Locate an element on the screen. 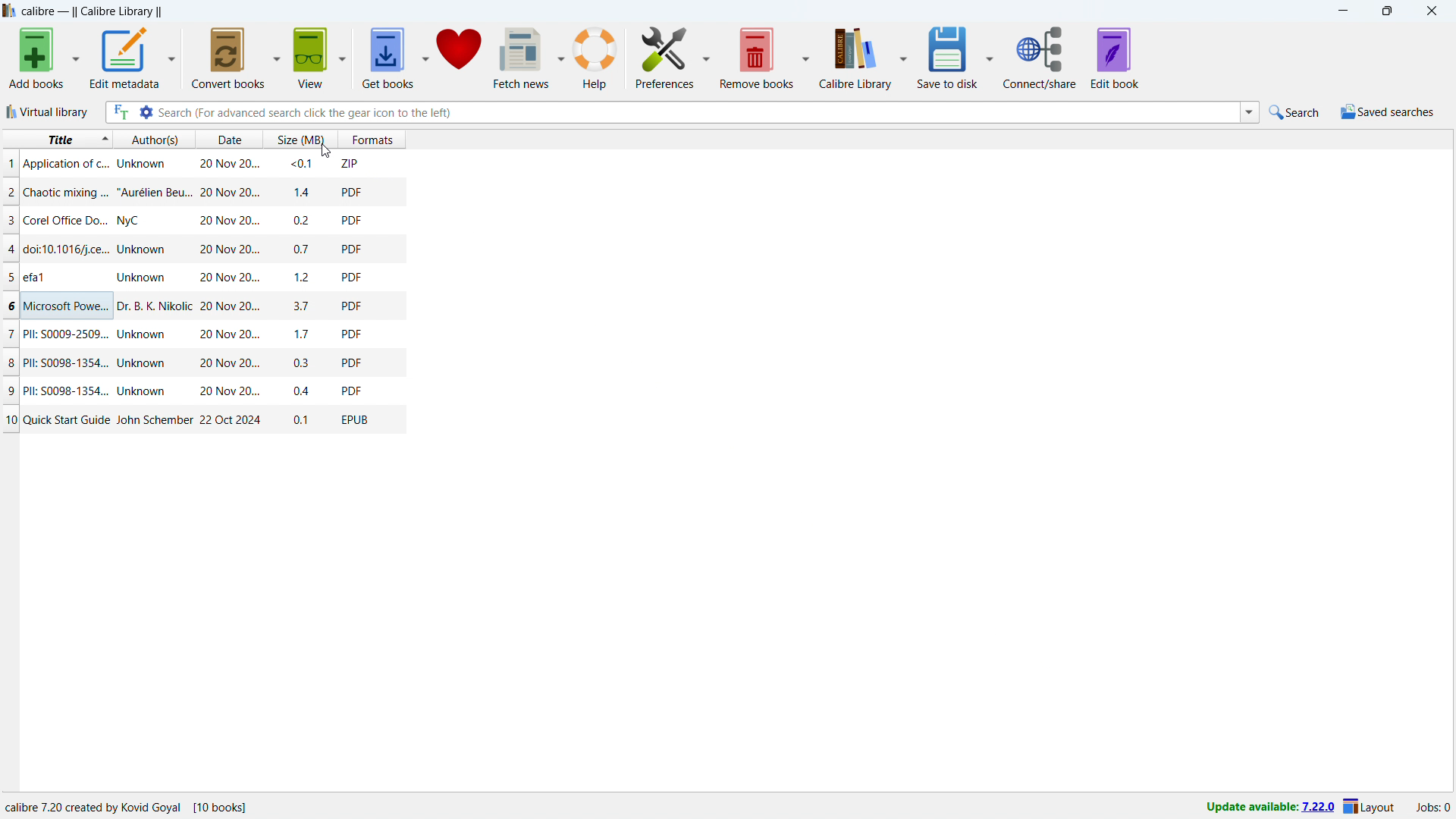 The height and width of the screenshot is (819, 1456). title is located at coordinates (92, 11).